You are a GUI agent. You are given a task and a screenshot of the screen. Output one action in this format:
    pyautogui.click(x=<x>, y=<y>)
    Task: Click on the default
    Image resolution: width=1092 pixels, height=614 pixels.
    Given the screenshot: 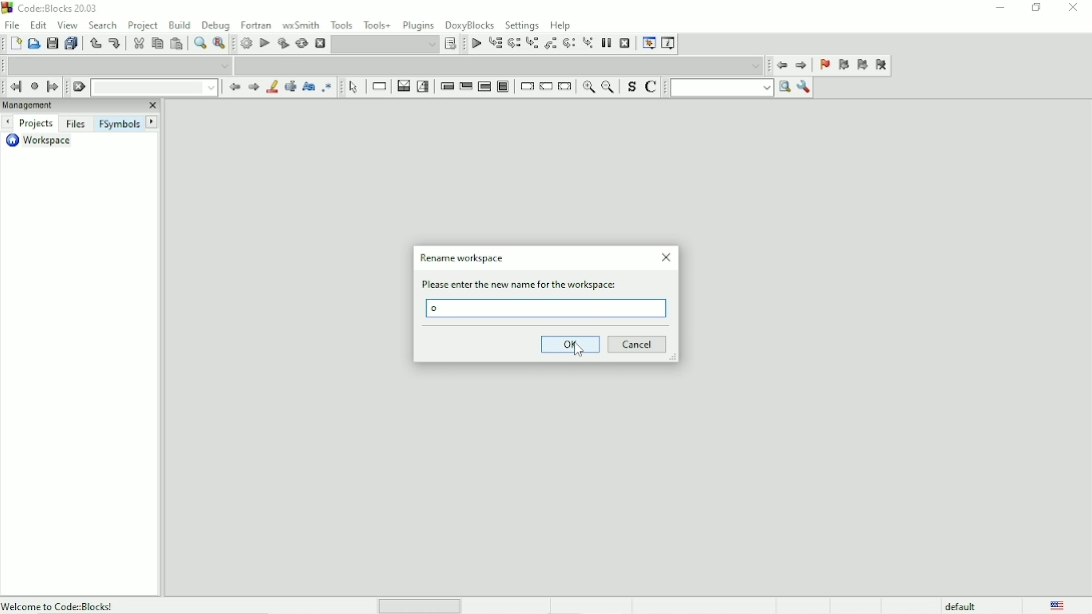 What is the action you would take?
    pyautogui.click(x=962, y=605)
    